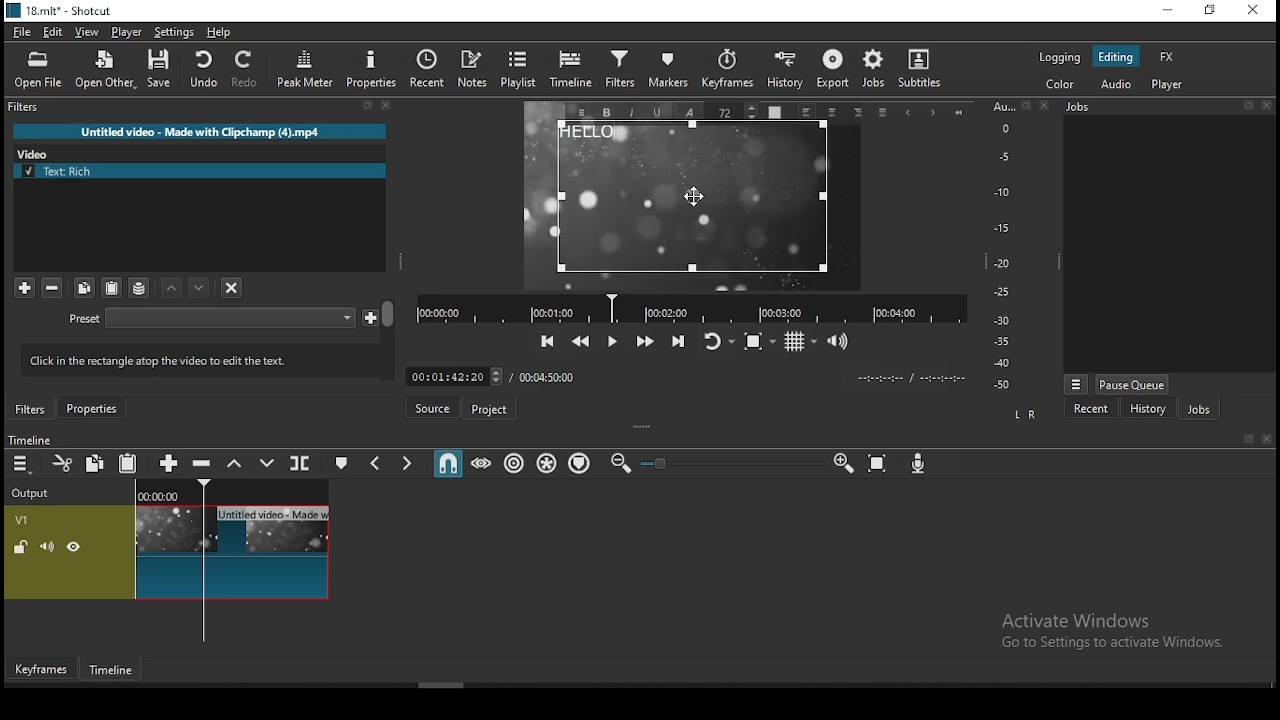 This screenshot has width=1280, height=720. Describe the element at coordinates (691, 309) in the screenshot. I see `Timeline Navigator` at that location.